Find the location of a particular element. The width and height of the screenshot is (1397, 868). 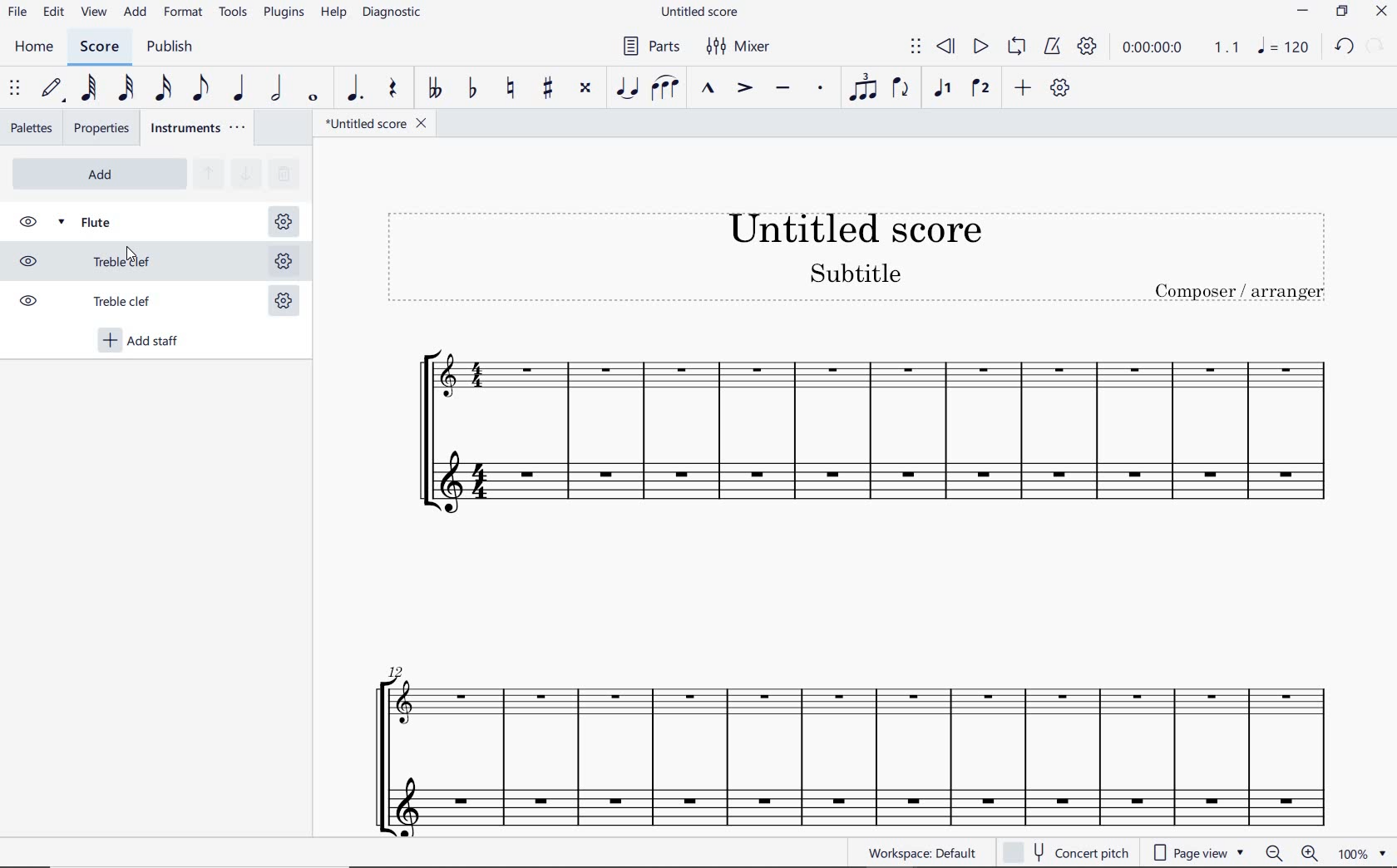

TOGGLE DOUBLE-SHARP is located at coordinates (587, 89).